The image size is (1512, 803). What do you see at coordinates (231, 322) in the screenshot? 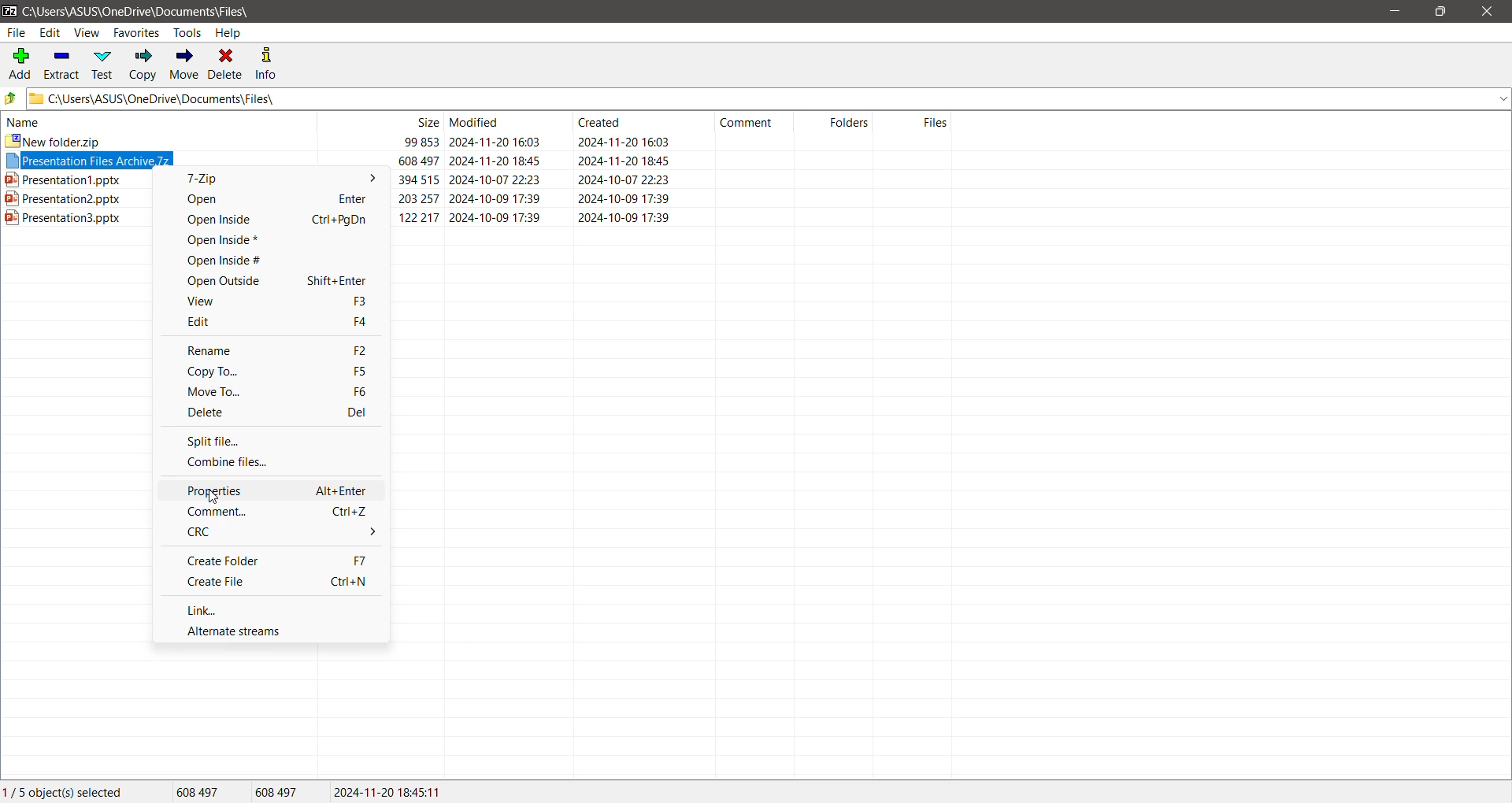
I see `Edit` at bounding box center [231, 322].